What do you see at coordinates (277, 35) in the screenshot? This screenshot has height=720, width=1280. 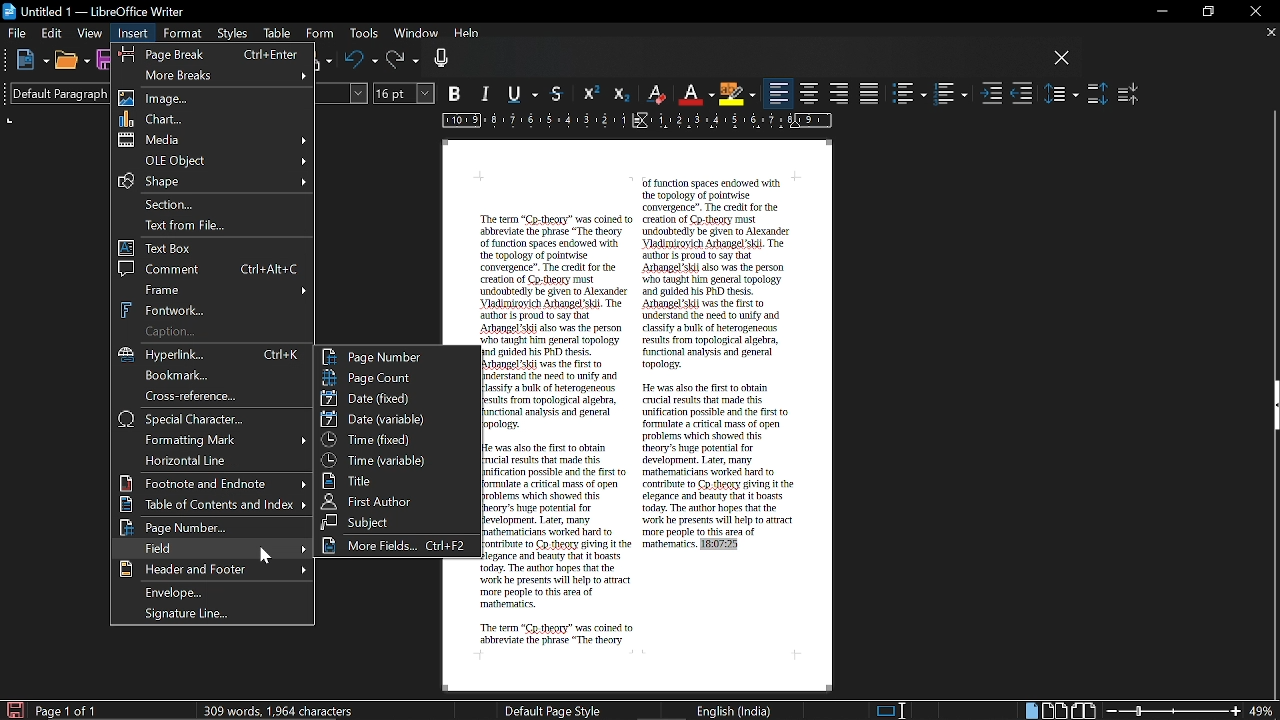 I see `Table` at bounding box center [277, 35].